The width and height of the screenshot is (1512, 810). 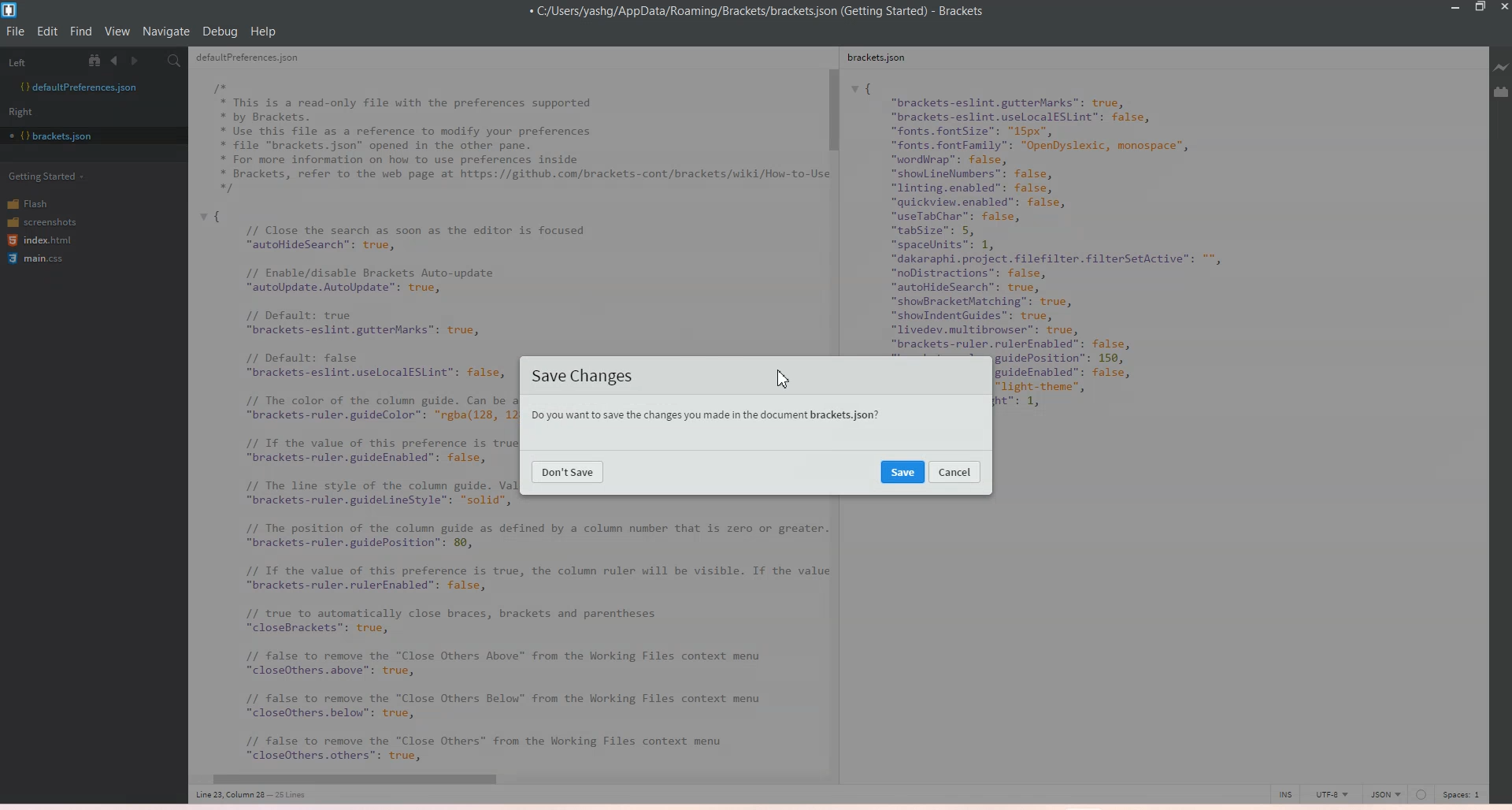 What do you see at coordinates (499, 780) in the screenshot?
I see `Horizontal scroll bar` at bounding box center [499, 780].